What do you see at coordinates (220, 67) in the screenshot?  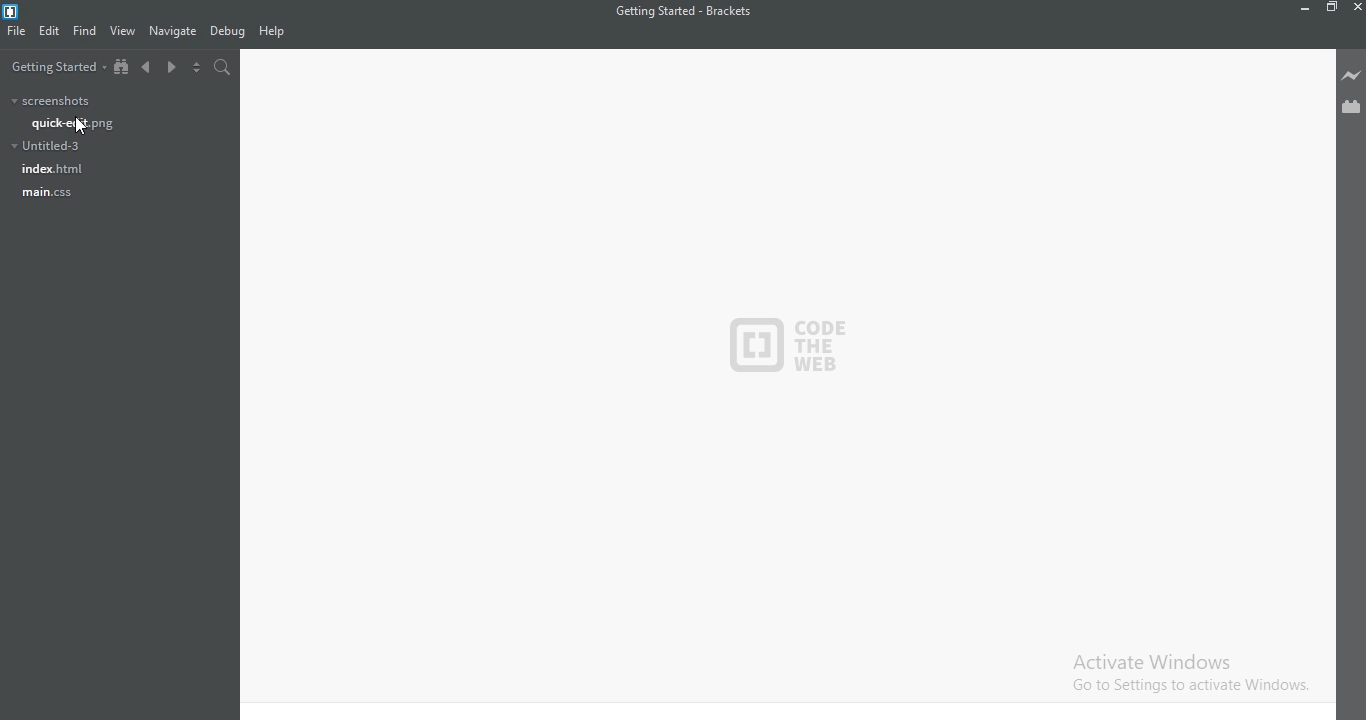 I see `search` at bounding box center [220, 67].